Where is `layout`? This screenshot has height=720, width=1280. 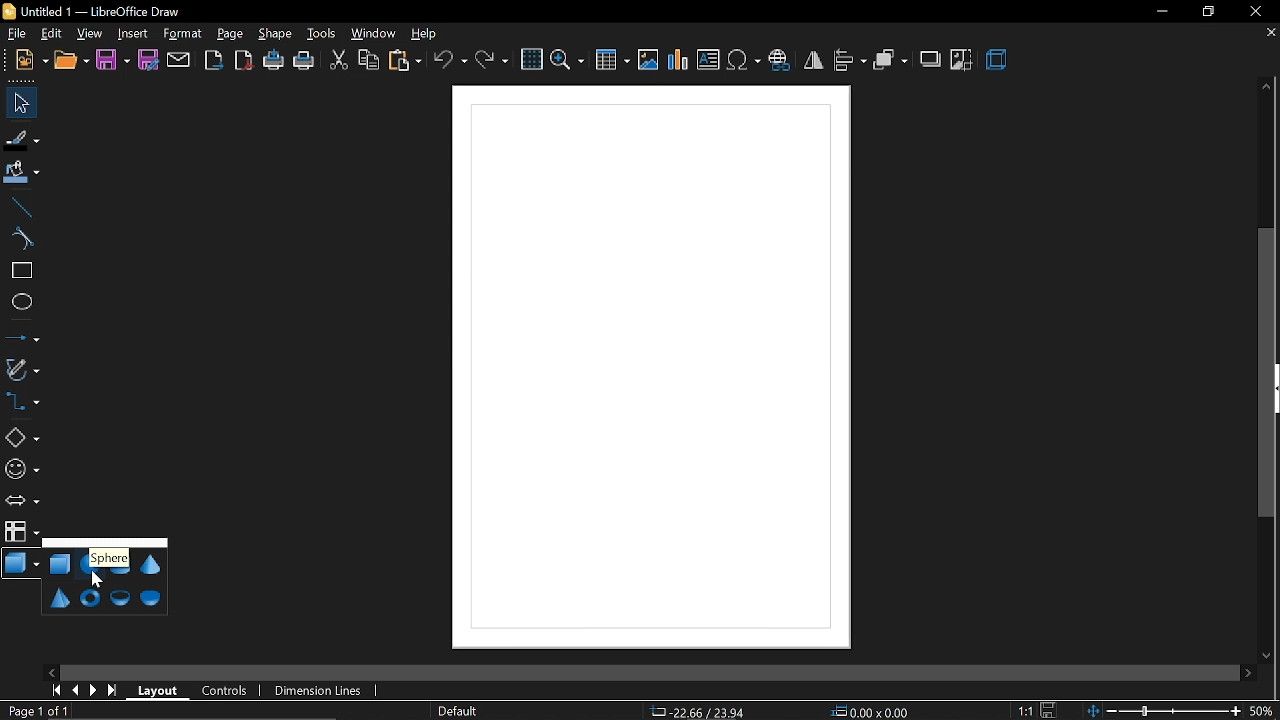
layout is located at coordinates (162, 691).